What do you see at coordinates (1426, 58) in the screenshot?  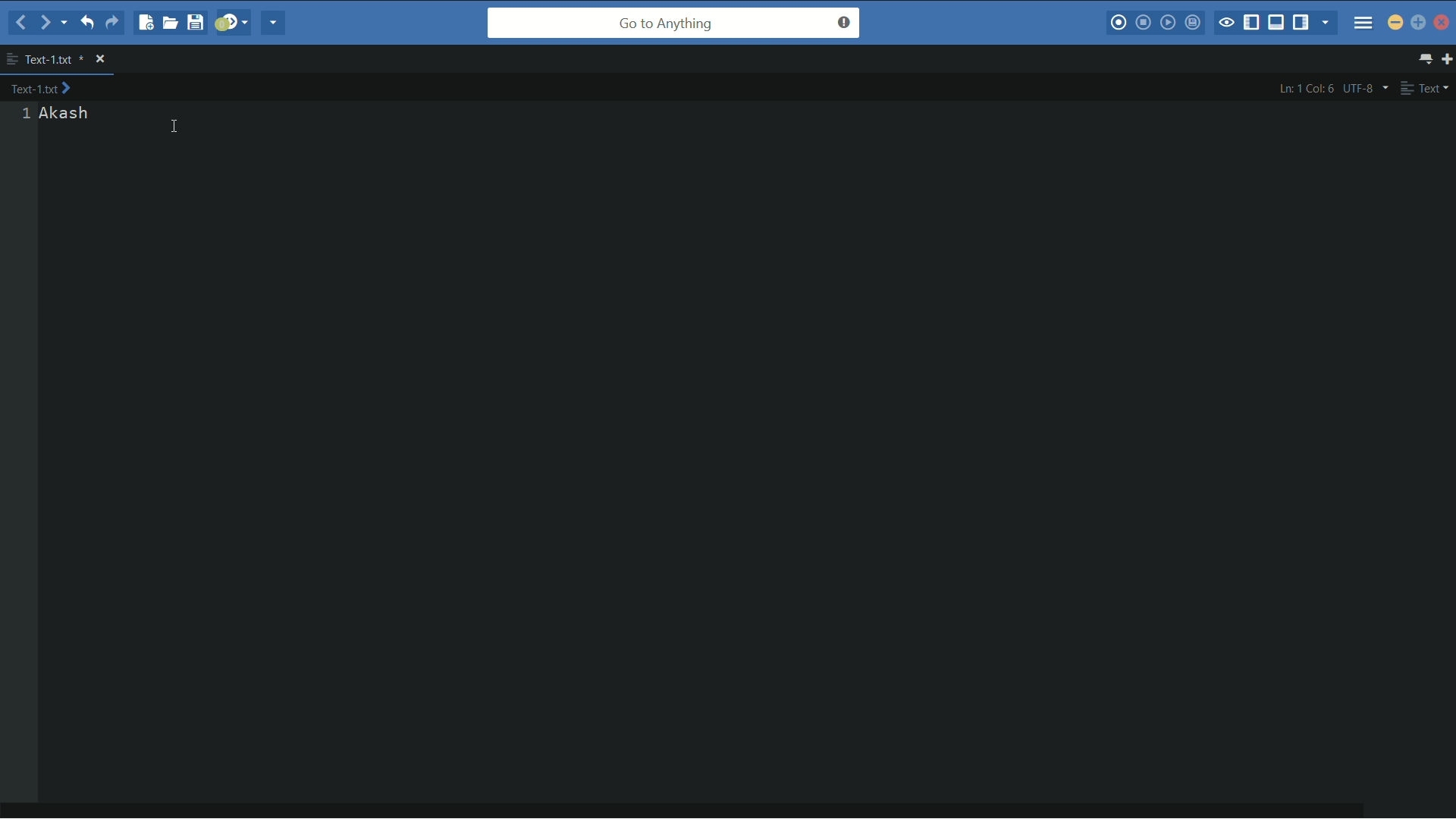 I see `show all tab` at bounding box center [1426, 58].